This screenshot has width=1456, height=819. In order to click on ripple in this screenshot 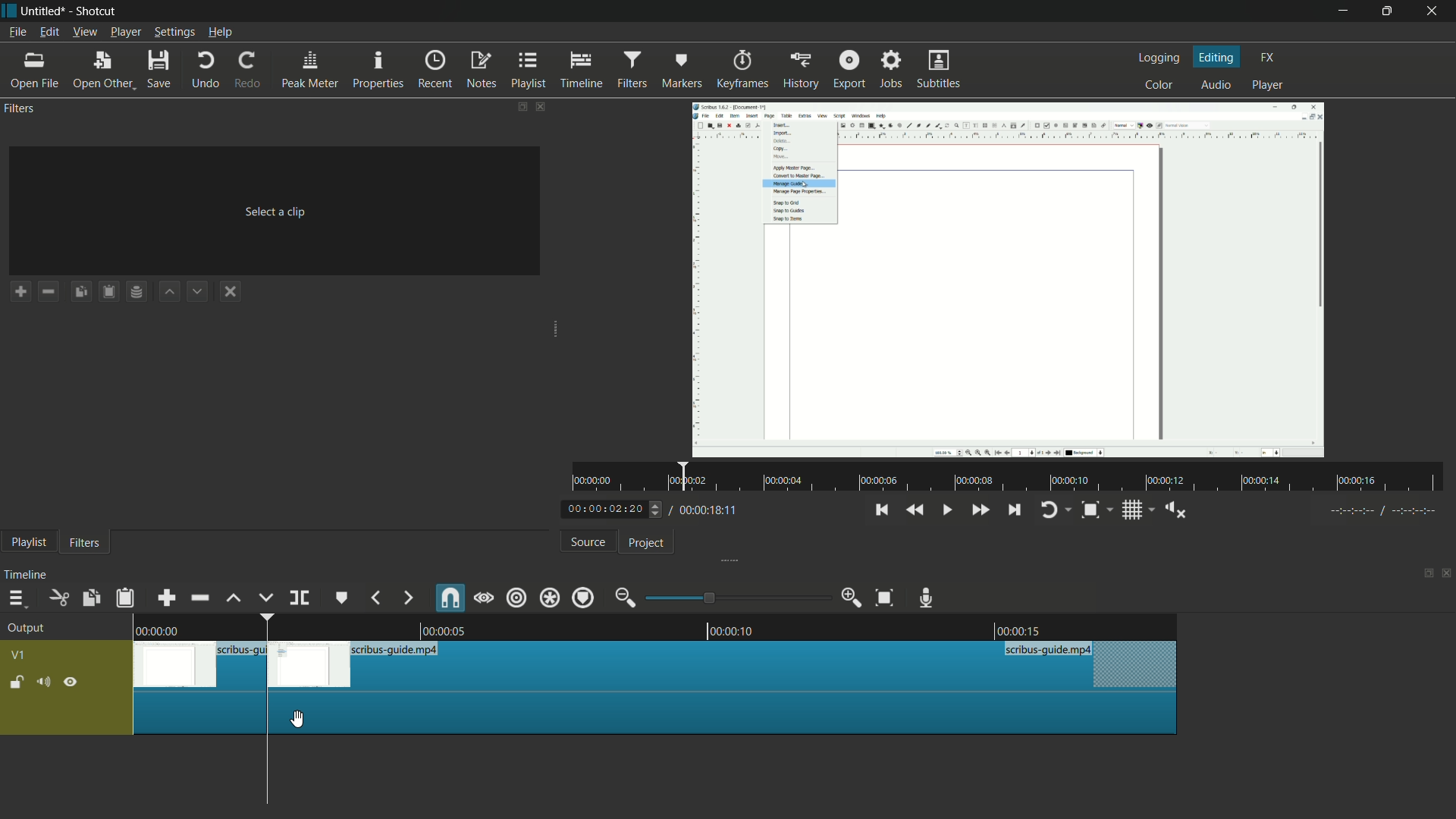, I will do `click(515, 597)`.